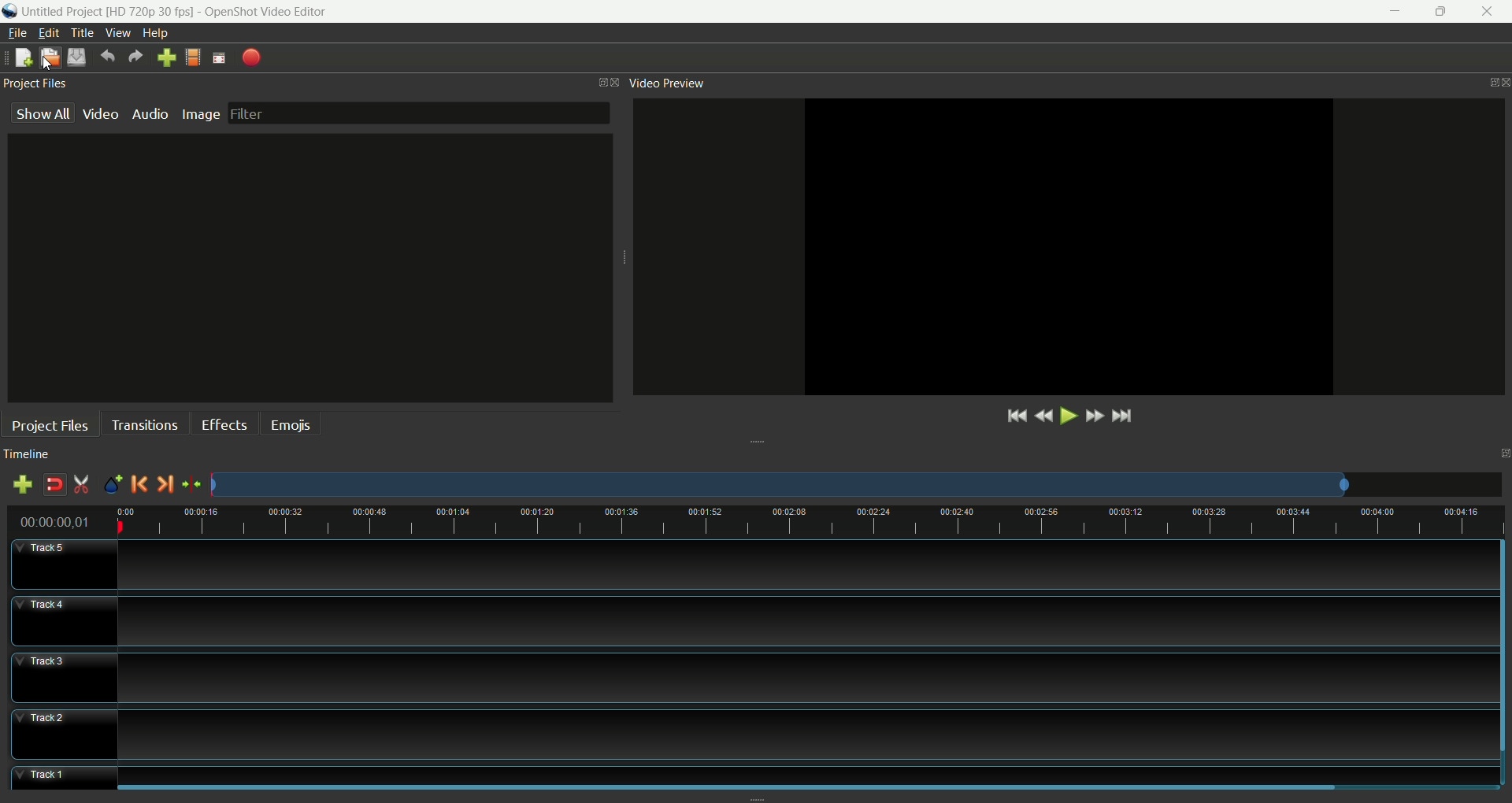  Describe the element at coordinates (798, 617) in the screenshot. I see `track 4` at that location.